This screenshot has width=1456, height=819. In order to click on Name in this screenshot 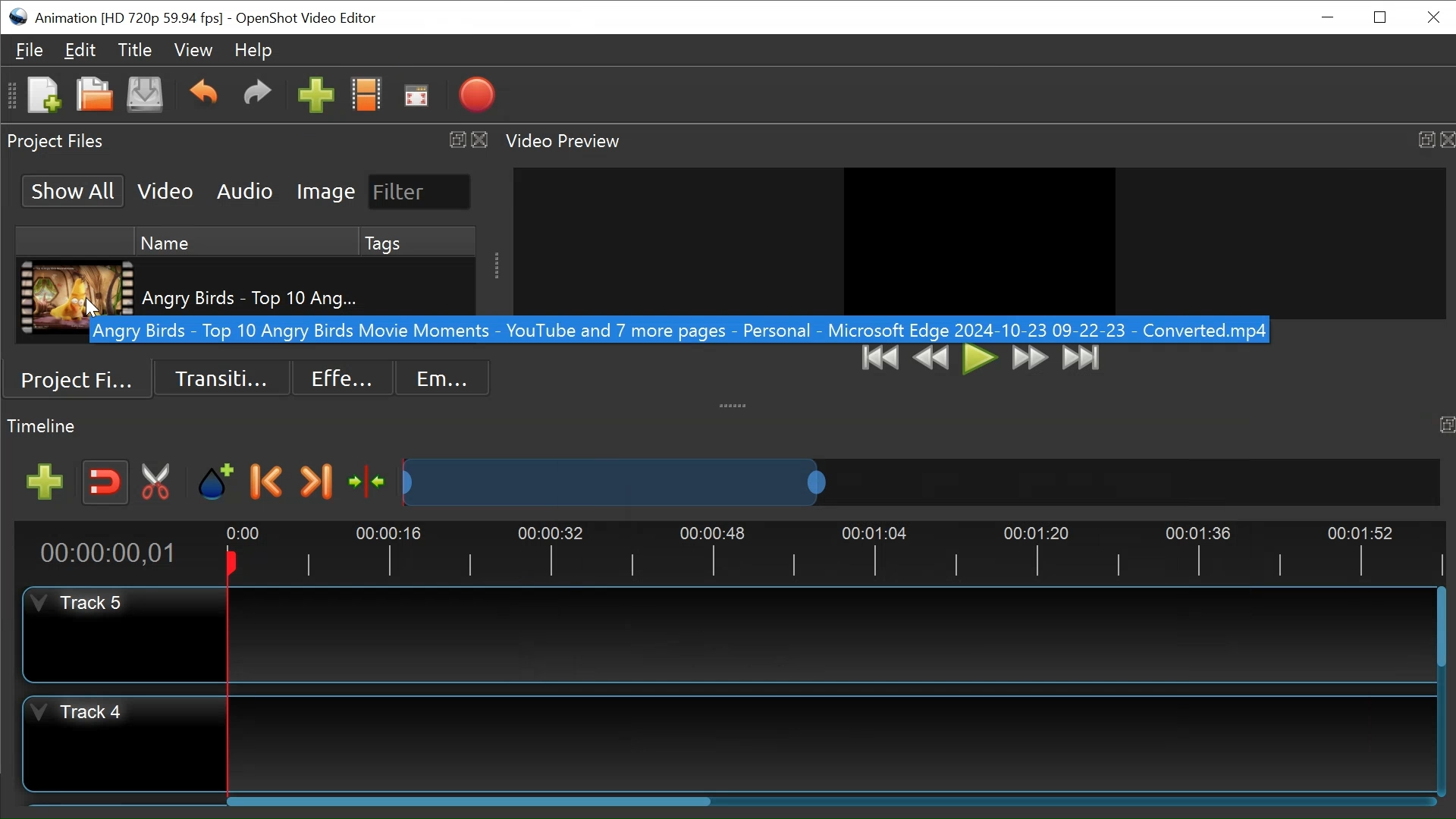, I will do `click(248, 242)`.